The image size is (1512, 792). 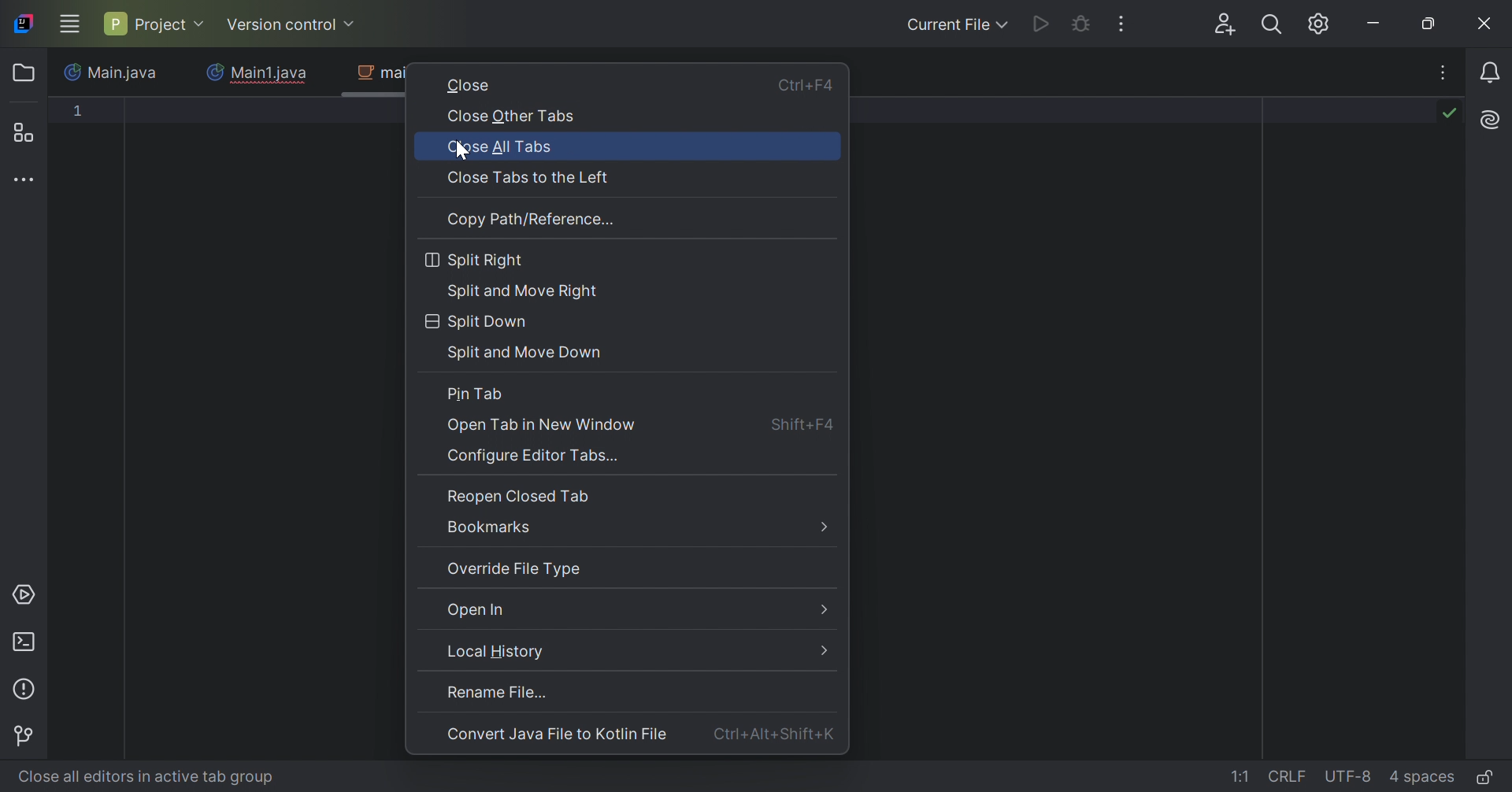 I want to click on Reopen Closed Tabs, so click(x=519, y=495).